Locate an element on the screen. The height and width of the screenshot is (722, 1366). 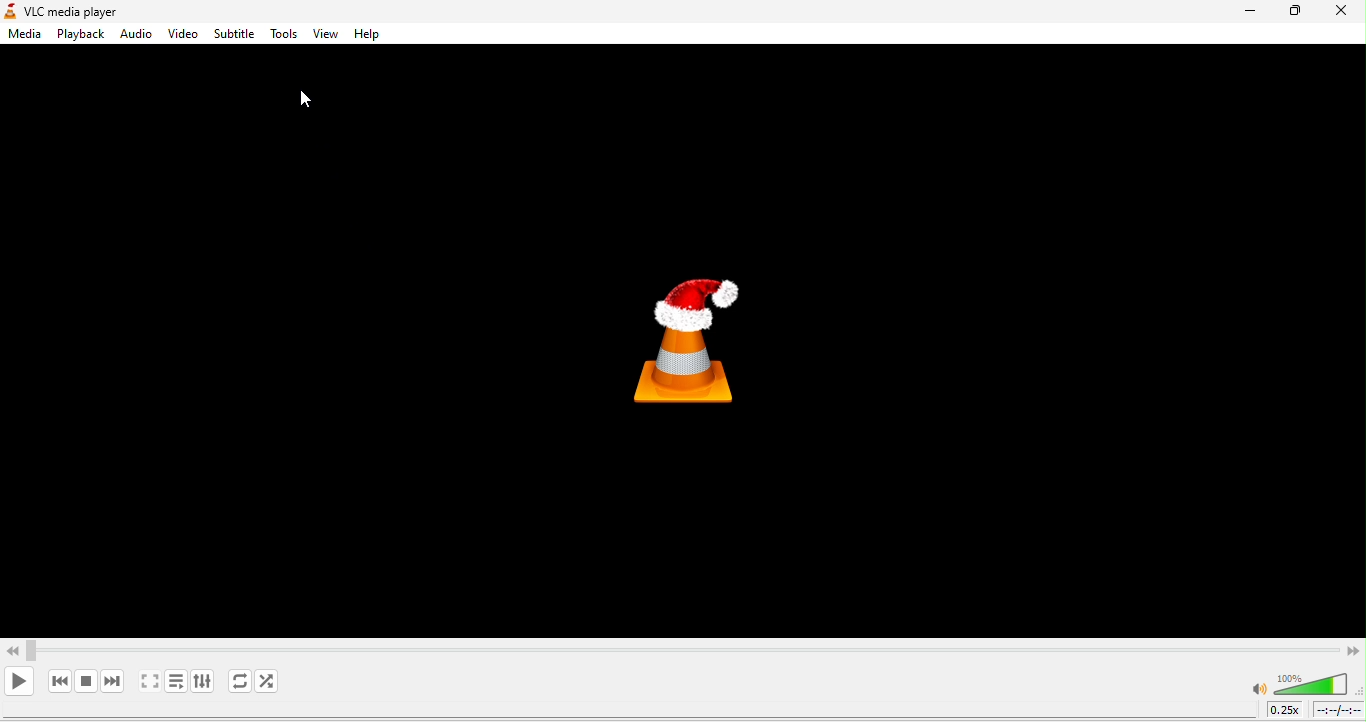
playback is located at coordinates (78, 35).